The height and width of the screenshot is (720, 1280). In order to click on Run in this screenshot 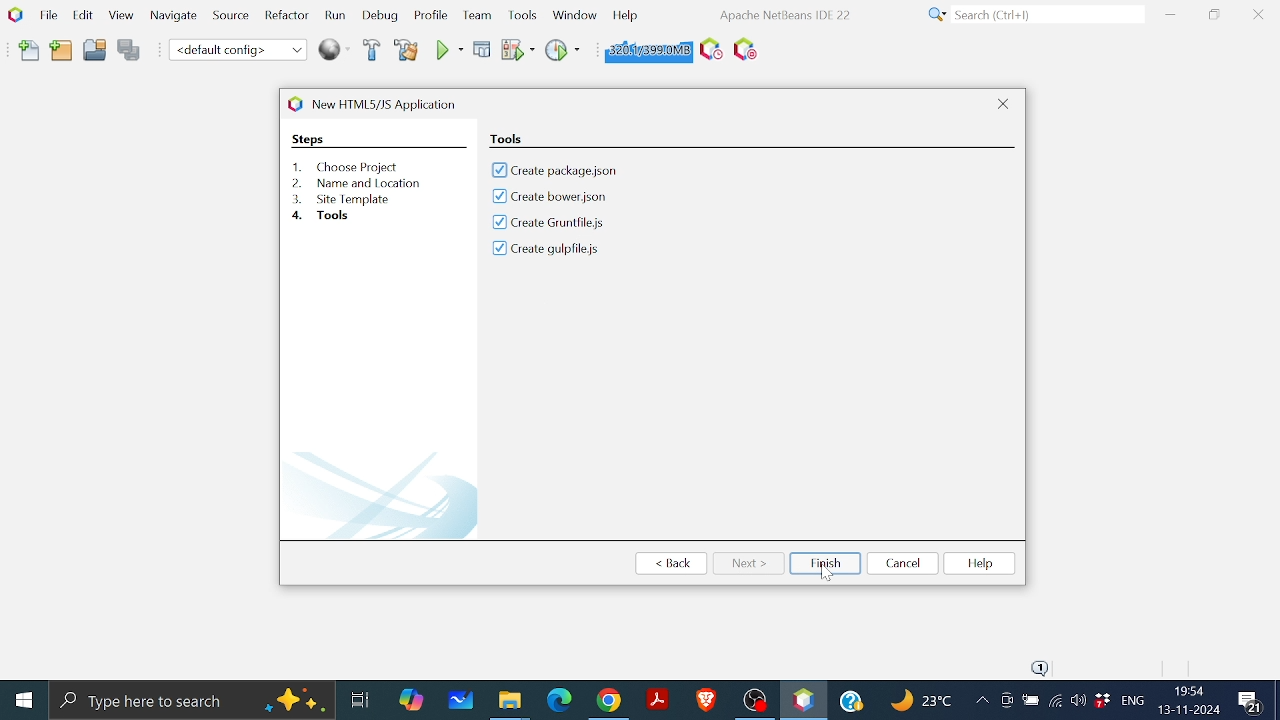, I will do `click(334, 16)`.